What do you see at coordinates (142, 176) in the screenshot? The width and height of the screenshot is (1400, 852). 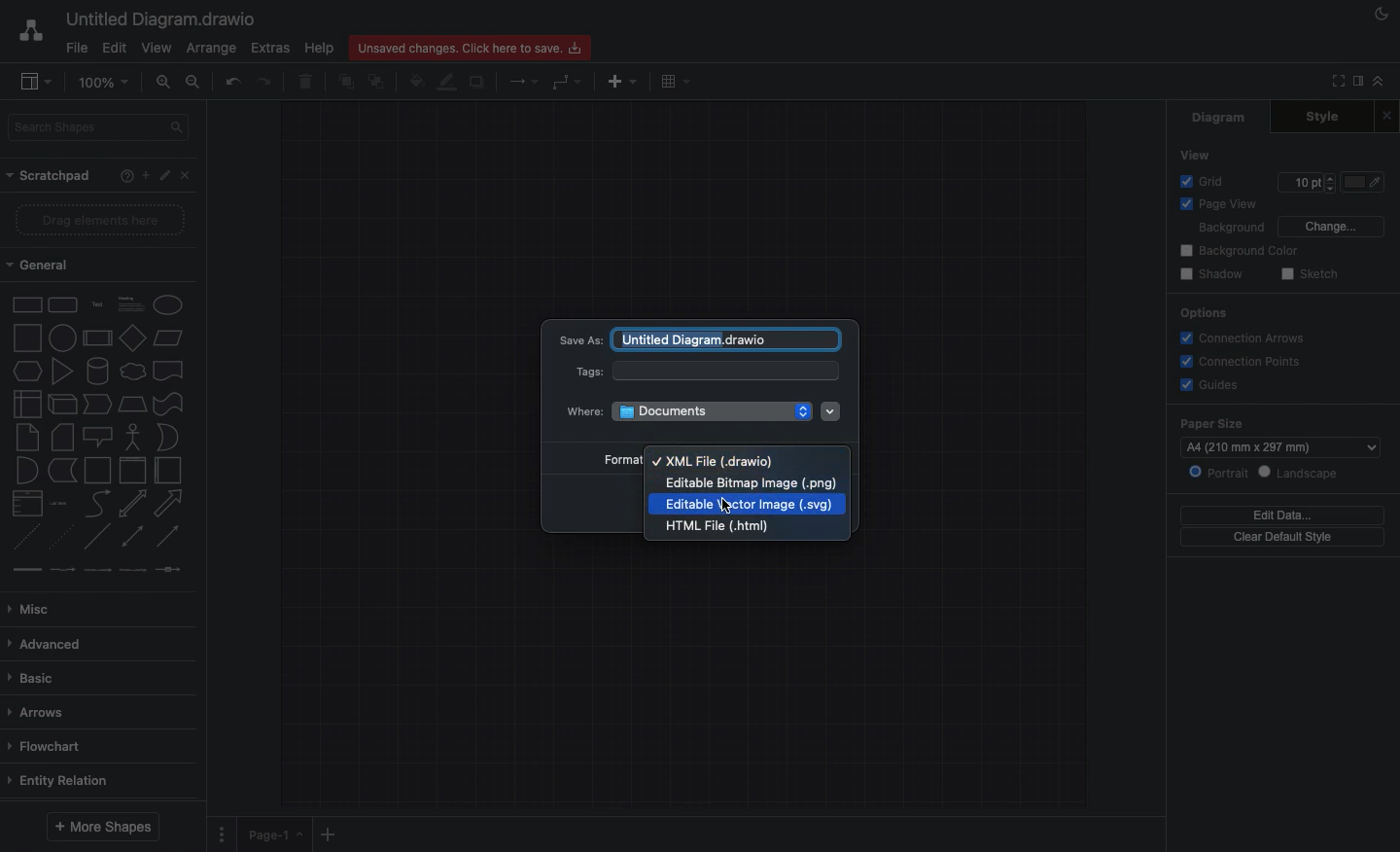 I see `Add` at bounding box center [142, 176].